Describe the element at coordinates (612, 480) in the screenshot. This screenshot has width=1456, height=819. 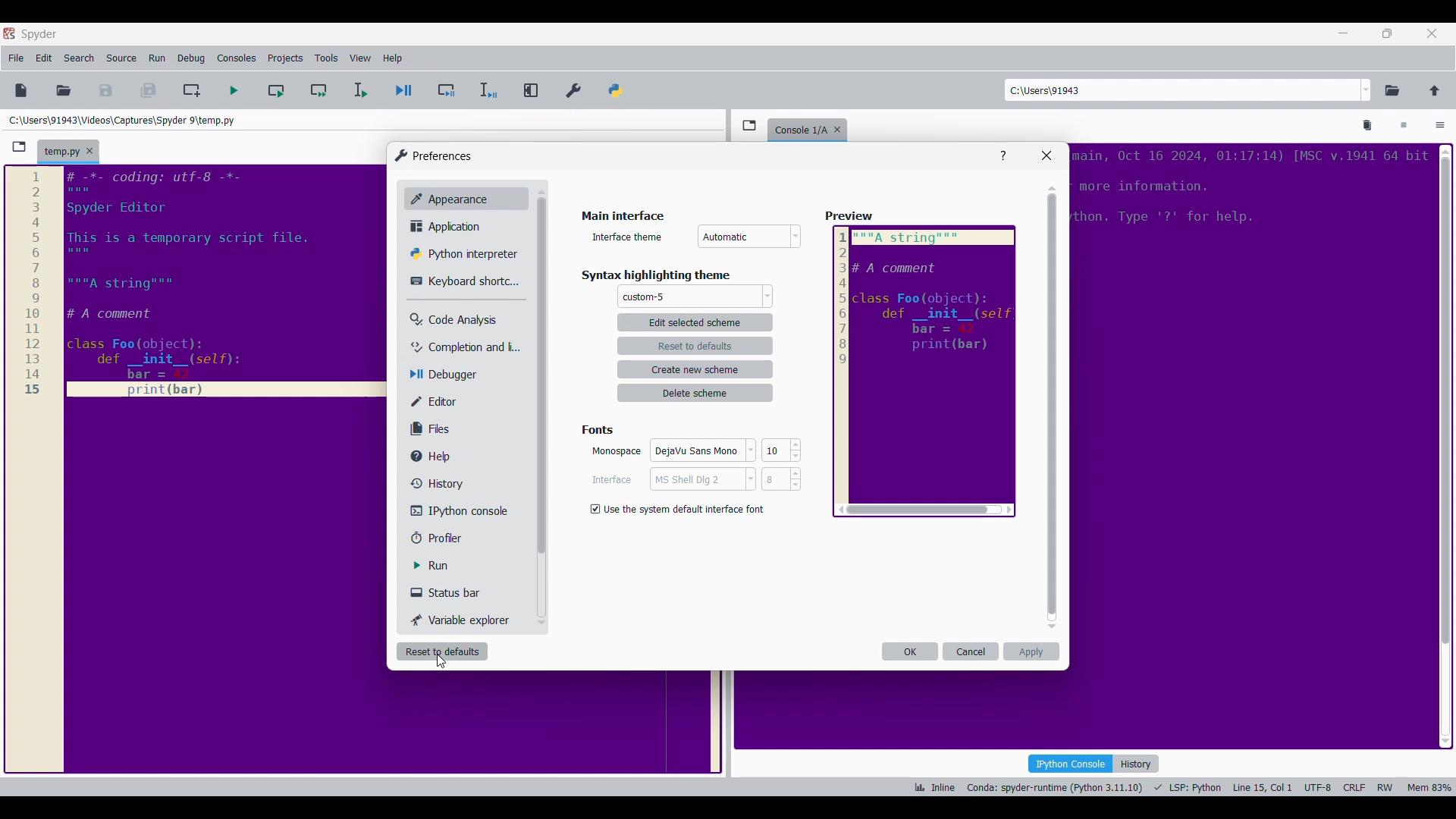
I see `Indiactes interface settings` at that location.